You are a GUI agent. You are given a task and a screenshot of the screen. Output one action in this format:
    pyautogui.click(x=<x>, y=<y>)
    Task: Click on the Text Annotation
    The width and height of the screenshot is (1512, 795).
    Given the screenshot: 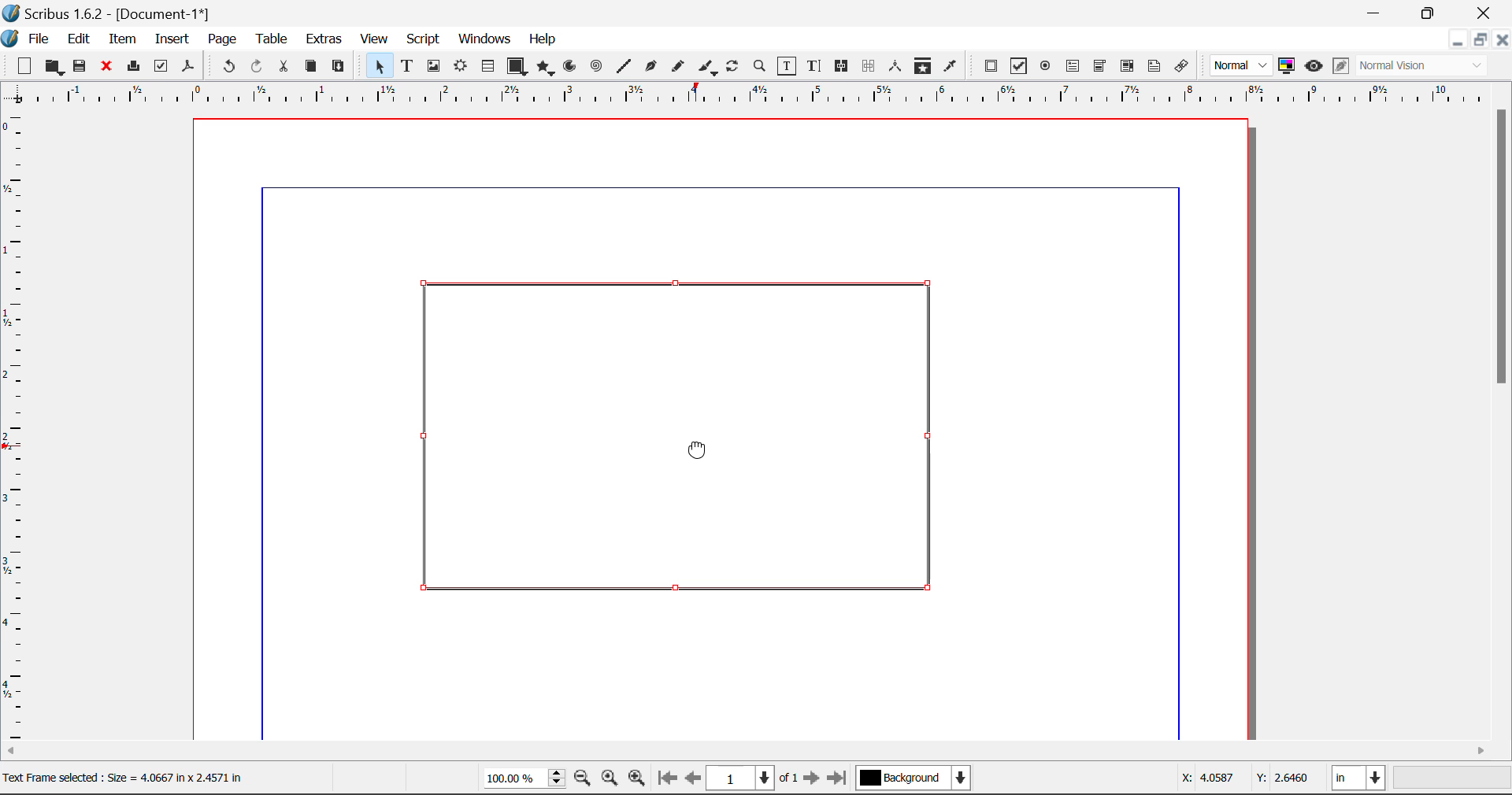 What is the action you would take?
    pyautogui.click(x=1154, y=66)
    